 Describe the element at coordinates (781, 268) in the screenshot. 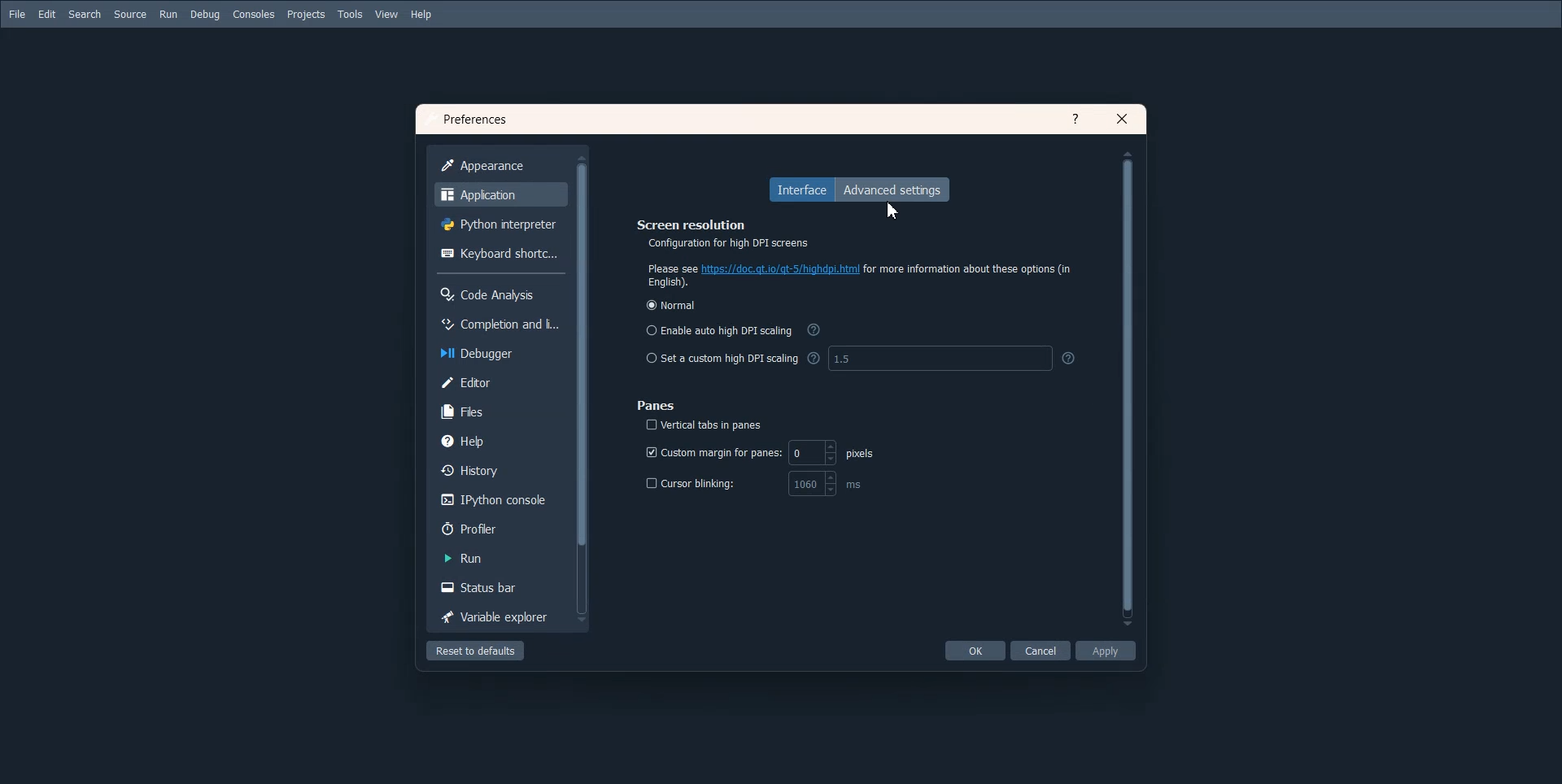

I see `hyperlink to qt-5 highdpi info` at that location.